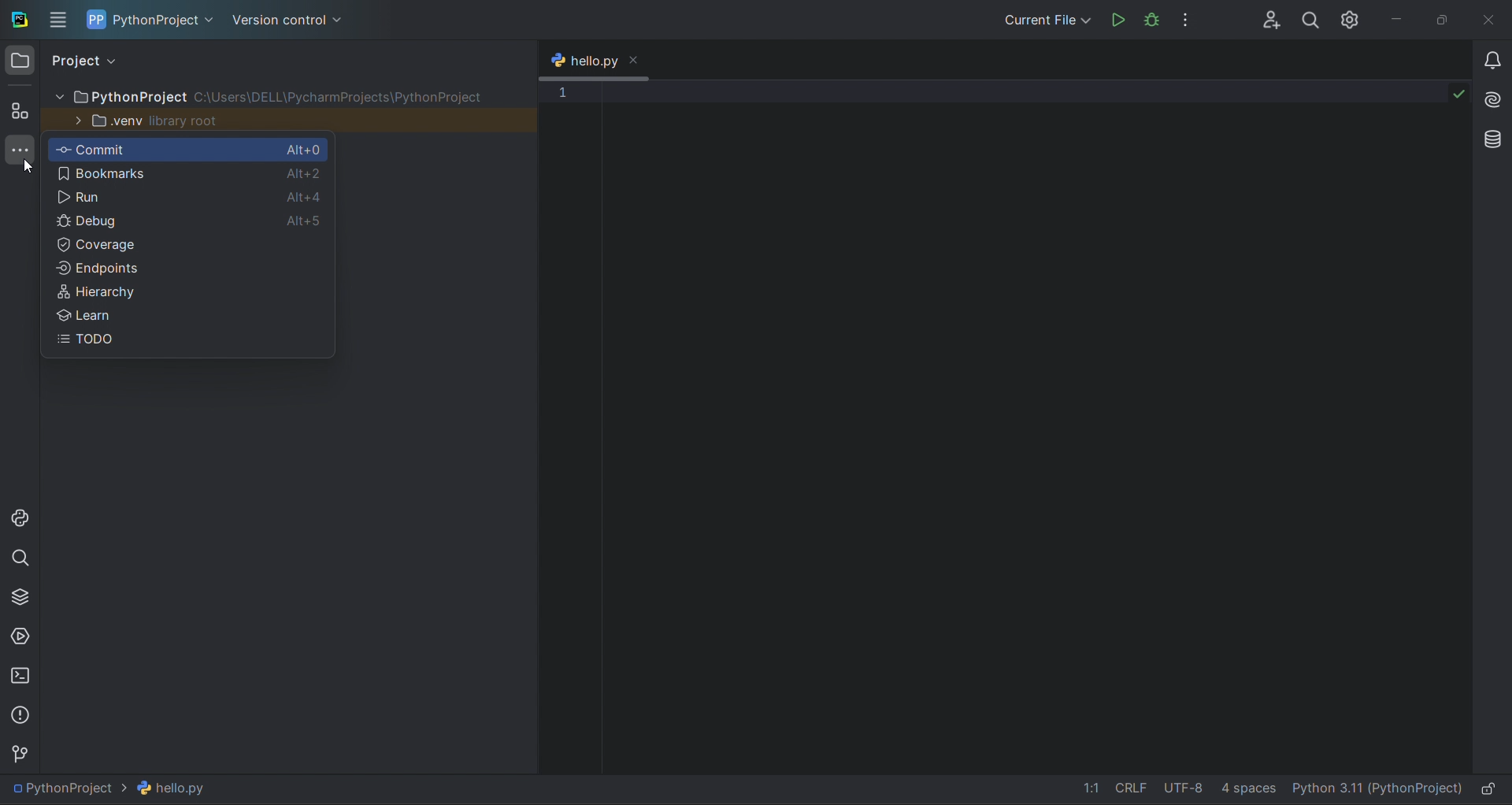  Describe the element at coordinates (96, 19) in the screenshot. I see `icon` at that location.